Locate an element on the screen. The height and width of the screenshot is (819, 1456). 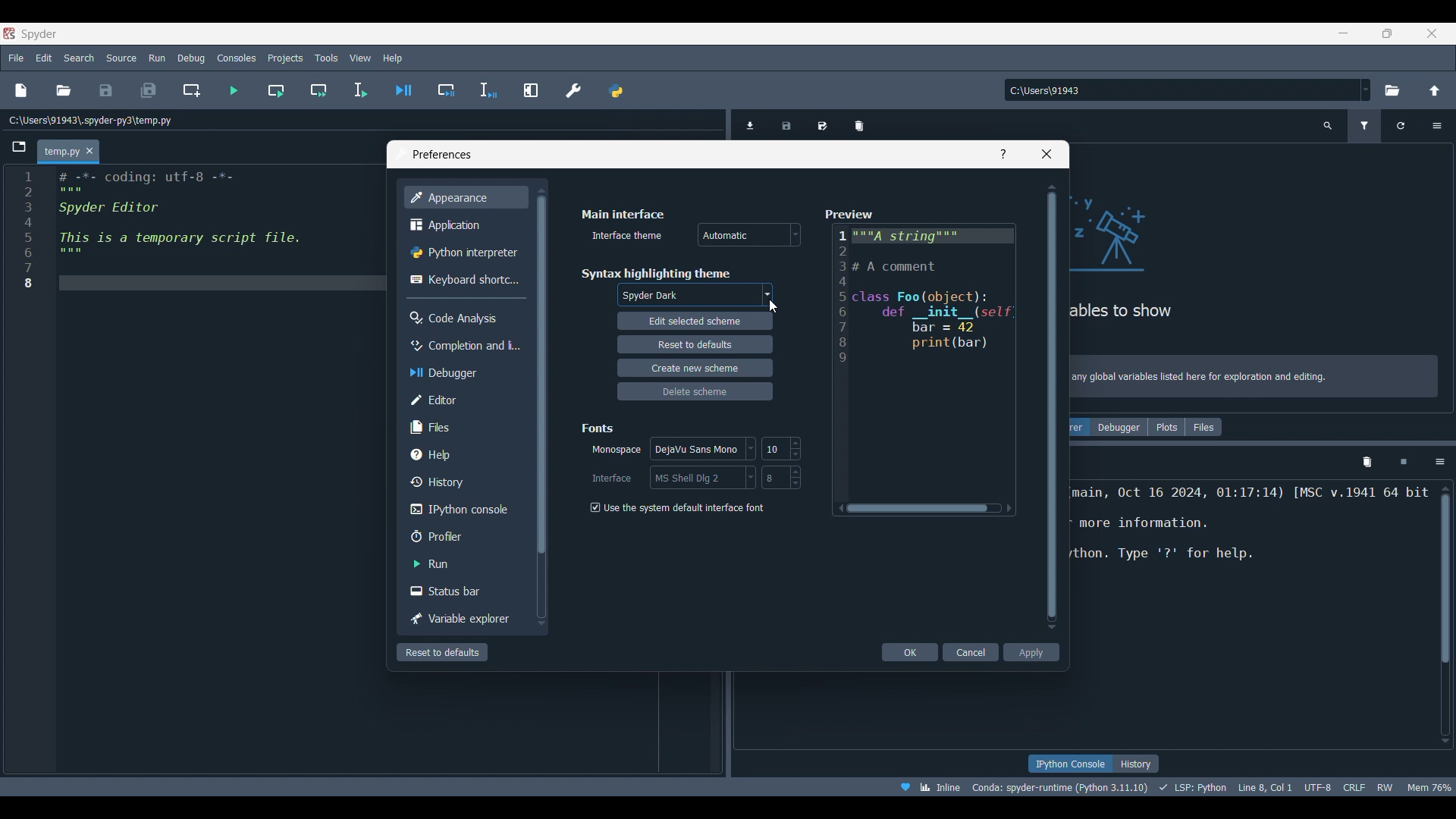
Folder location options  is located at coordinates (1366, 89).